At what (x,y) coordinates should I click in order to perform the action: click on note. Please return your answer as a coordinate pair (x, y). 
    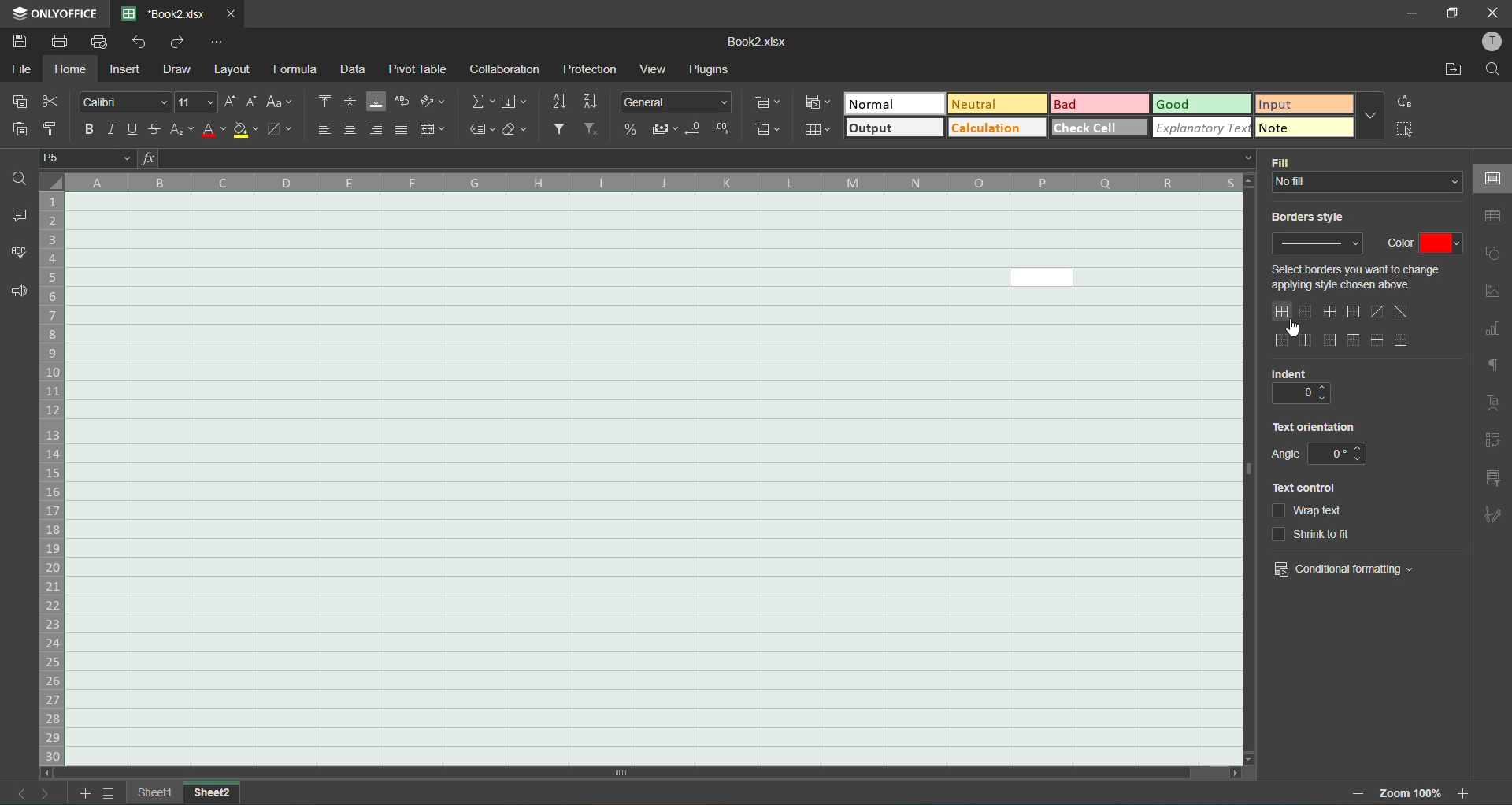
    Looking at the image, I should click on (1303, 128).